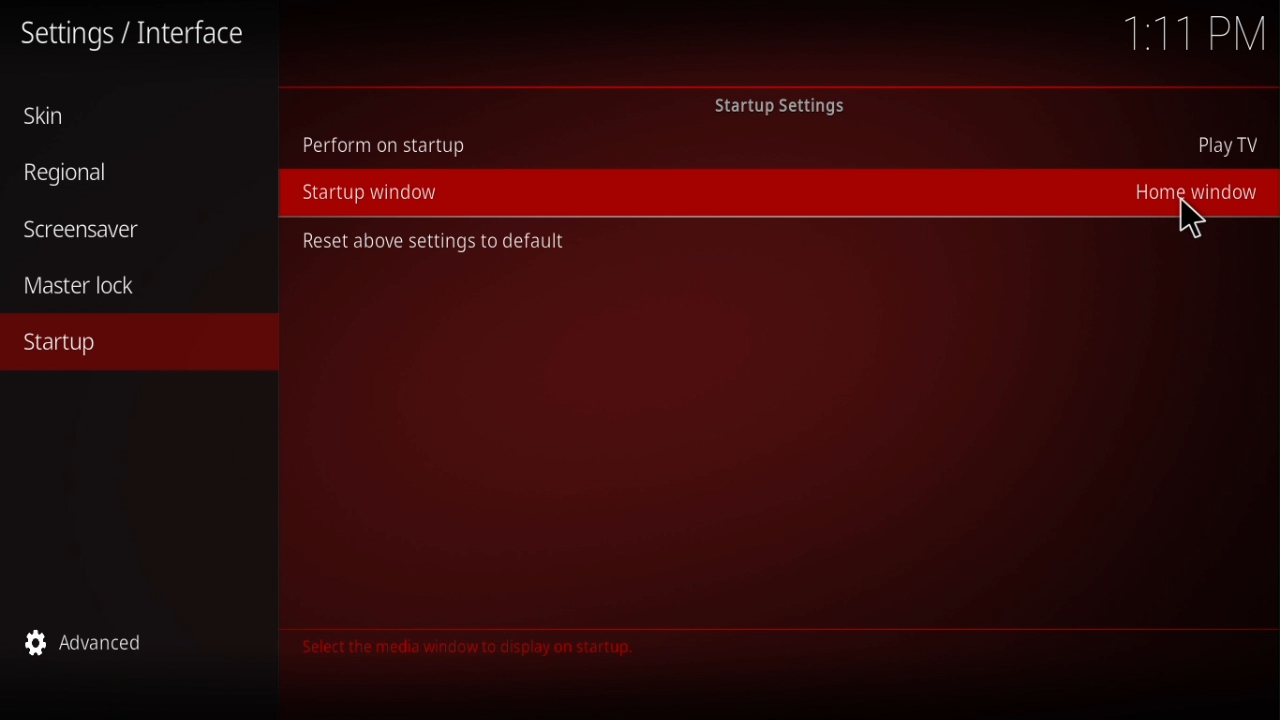 This screenshot has height=720, width=1280. What do you see at coordinates (1232, 147) in the screenshot?
I see `play tv` at bounding box center [1232, 147].